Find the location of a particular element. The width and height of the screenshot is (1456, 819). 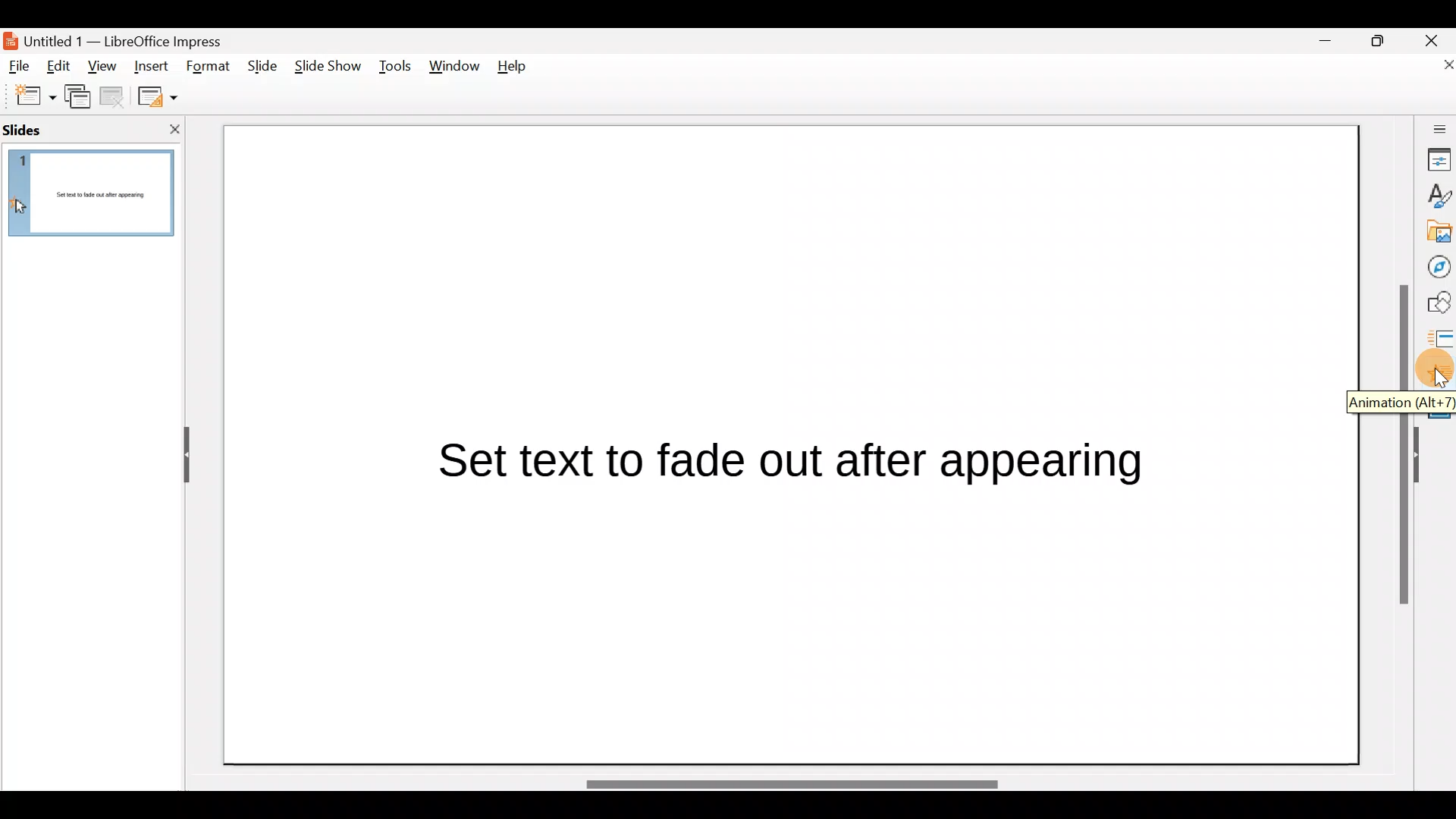

Master slides is located at coordinates (1442, 416).